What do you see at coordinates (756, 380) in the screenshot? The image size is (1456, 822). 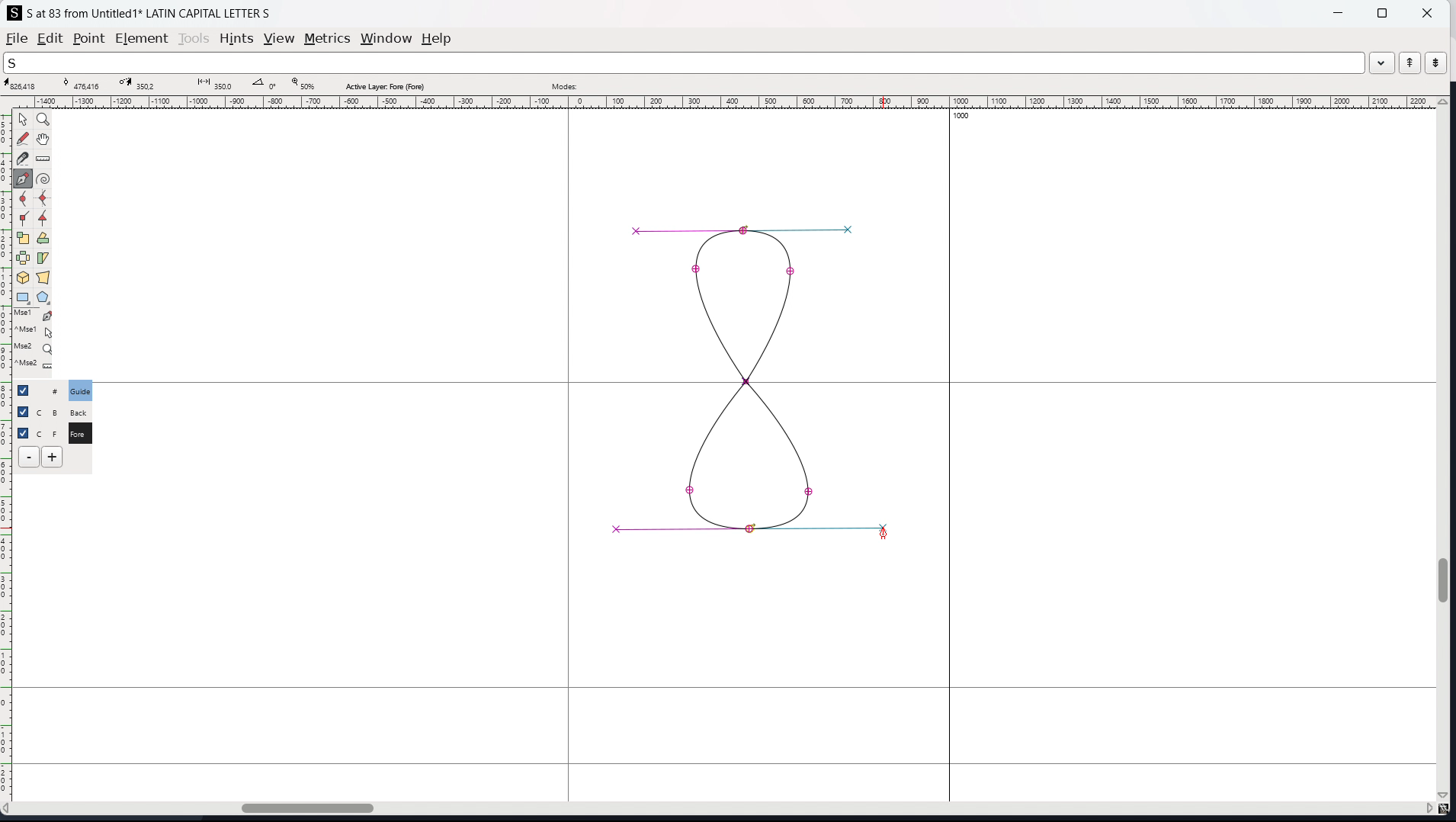 I see `drawing updated` at bounding box center [756, 380].